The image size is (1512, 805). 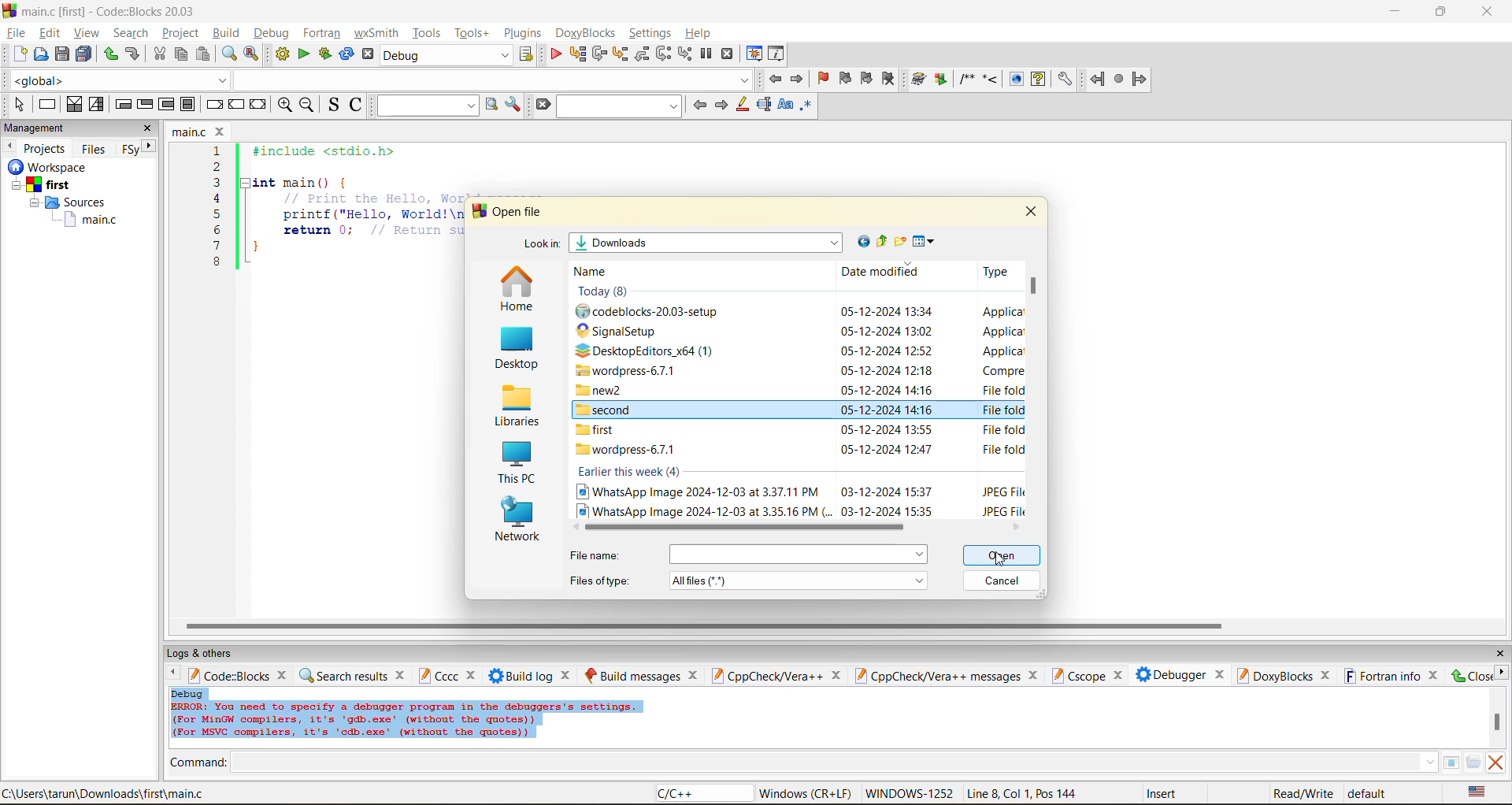 I want to click on text to search, so click(x=424, y=105).